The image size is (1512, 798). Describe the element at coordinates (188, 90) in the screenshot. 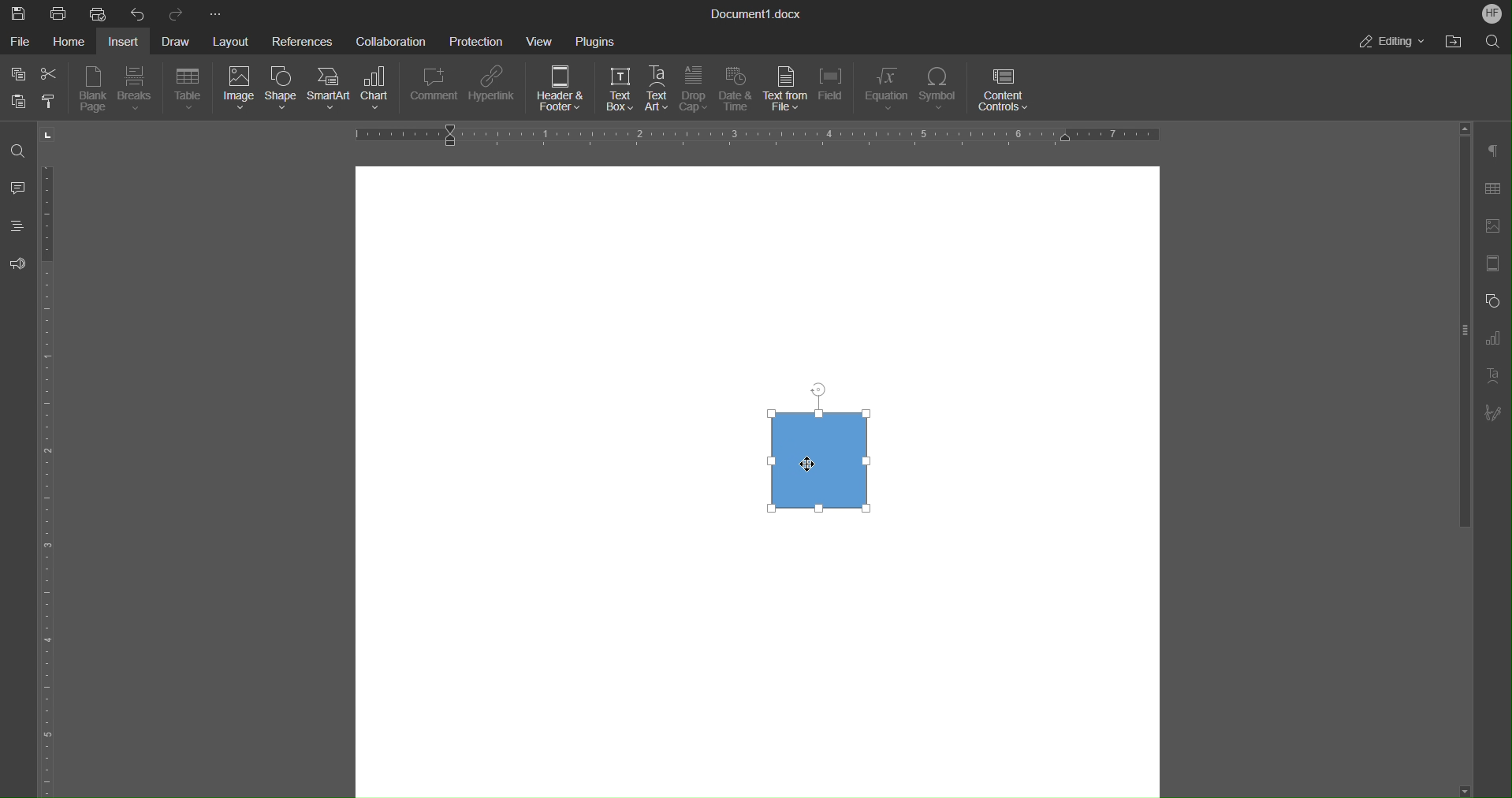

I see `Table` at that location.